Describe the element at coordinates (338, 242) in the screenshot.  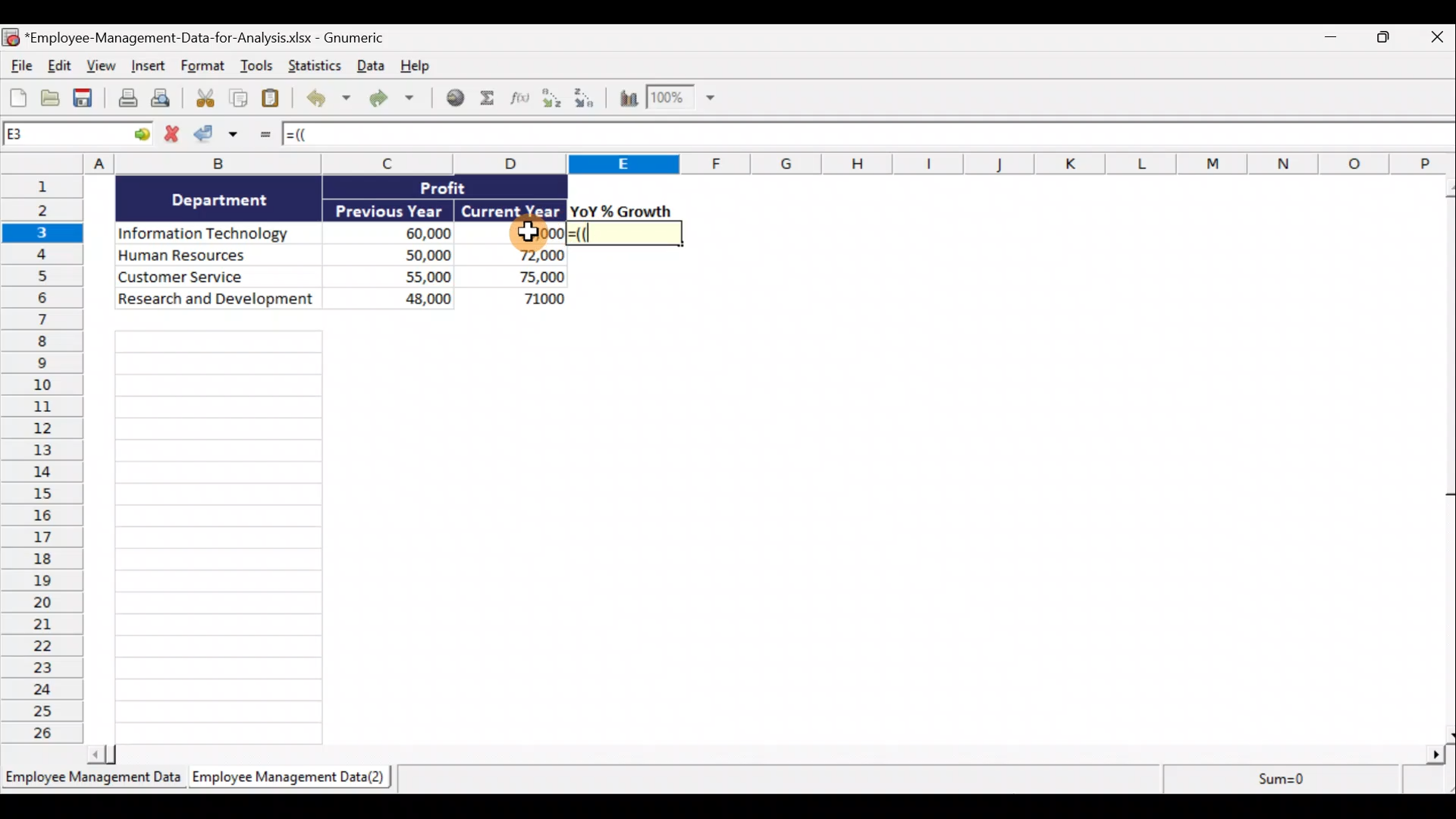
I see `Data` at that location.